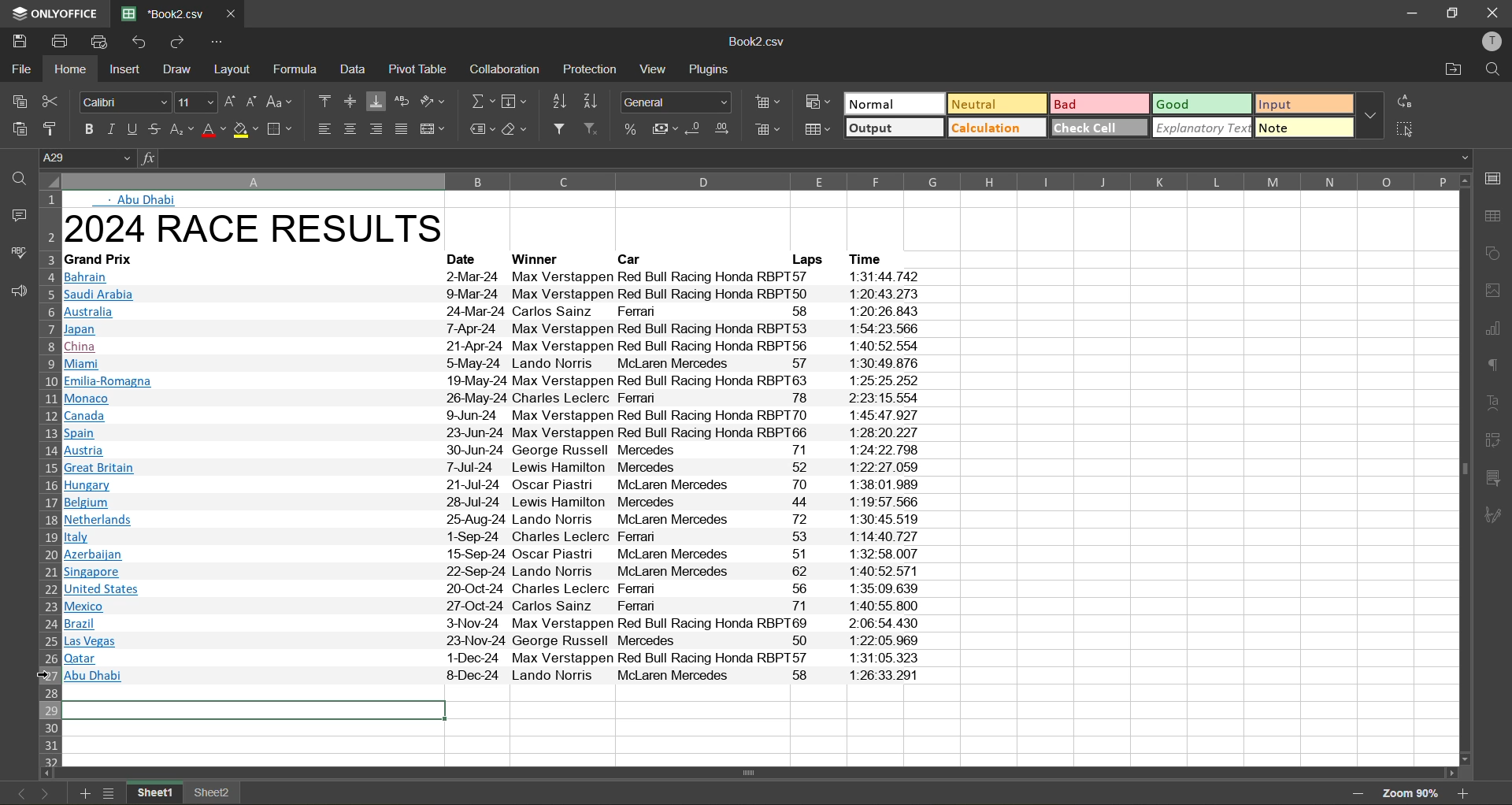 The width and height of the screenshot is (1512, 805). What do you see at coordinates (597, 131) in the screenshot?
I see `clear filter` at bounding box center [597, 131].